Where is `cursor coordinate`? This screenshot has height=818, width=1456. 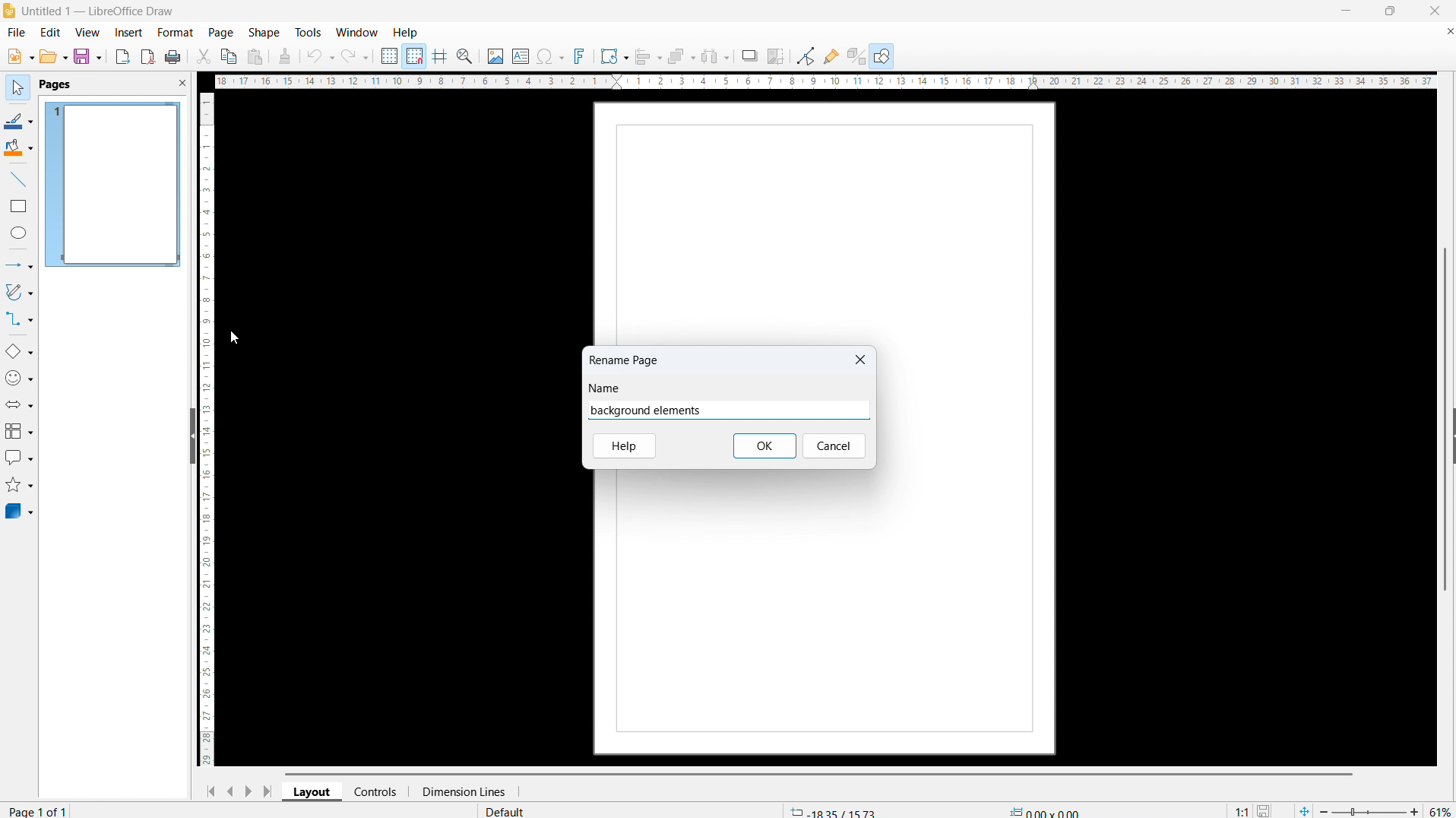 cursor coordinate is located at coordinates (833, 810).